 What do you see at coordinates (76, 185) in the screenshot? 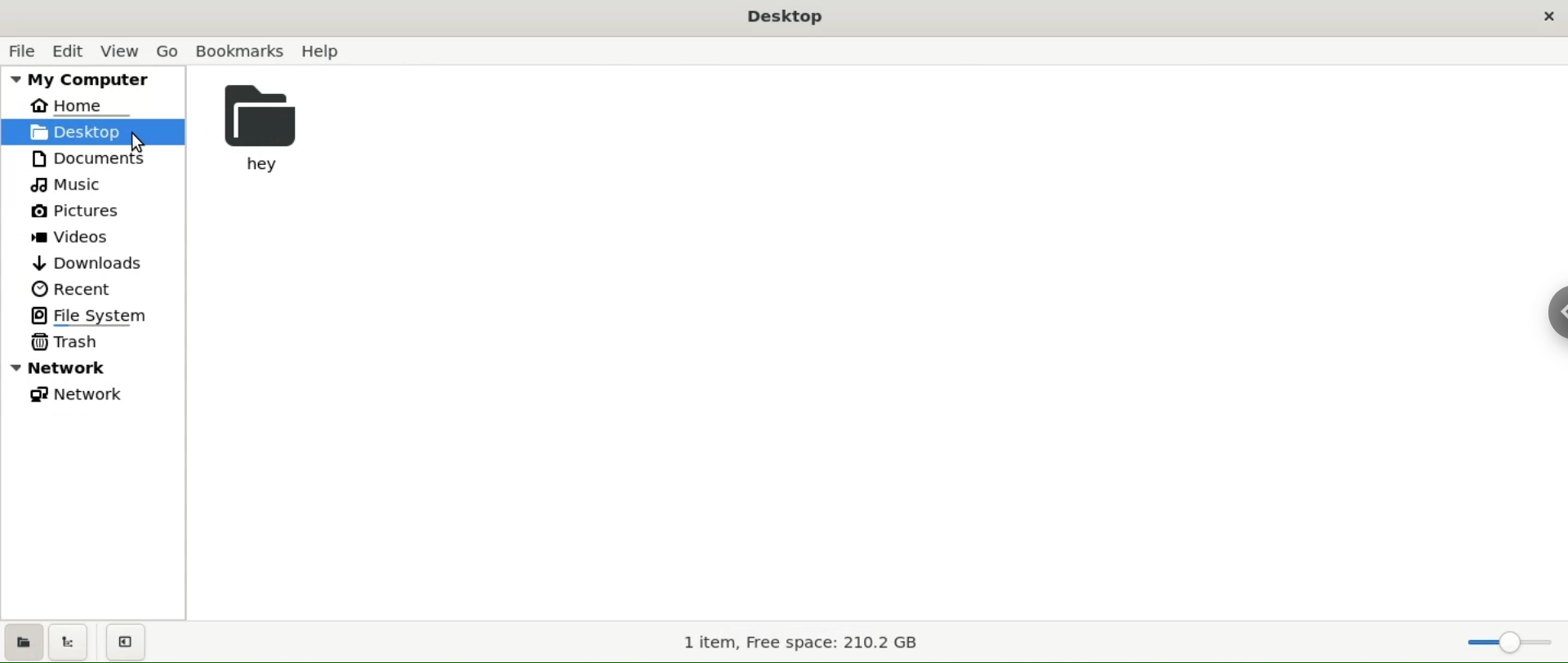
I see `music` at bounding box center [76, 185].